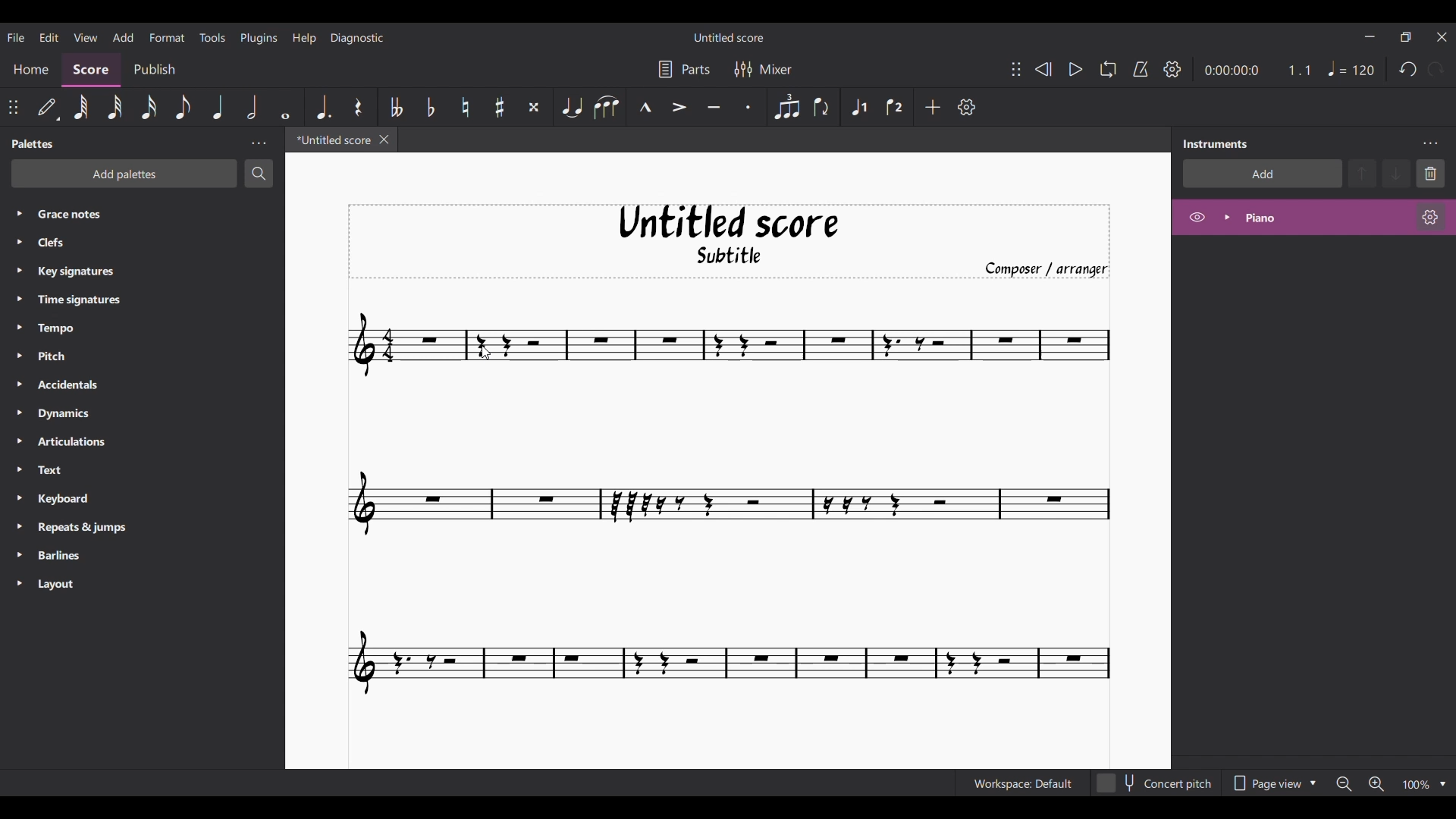  I want to click on Quarter note, so click(1351, 68).